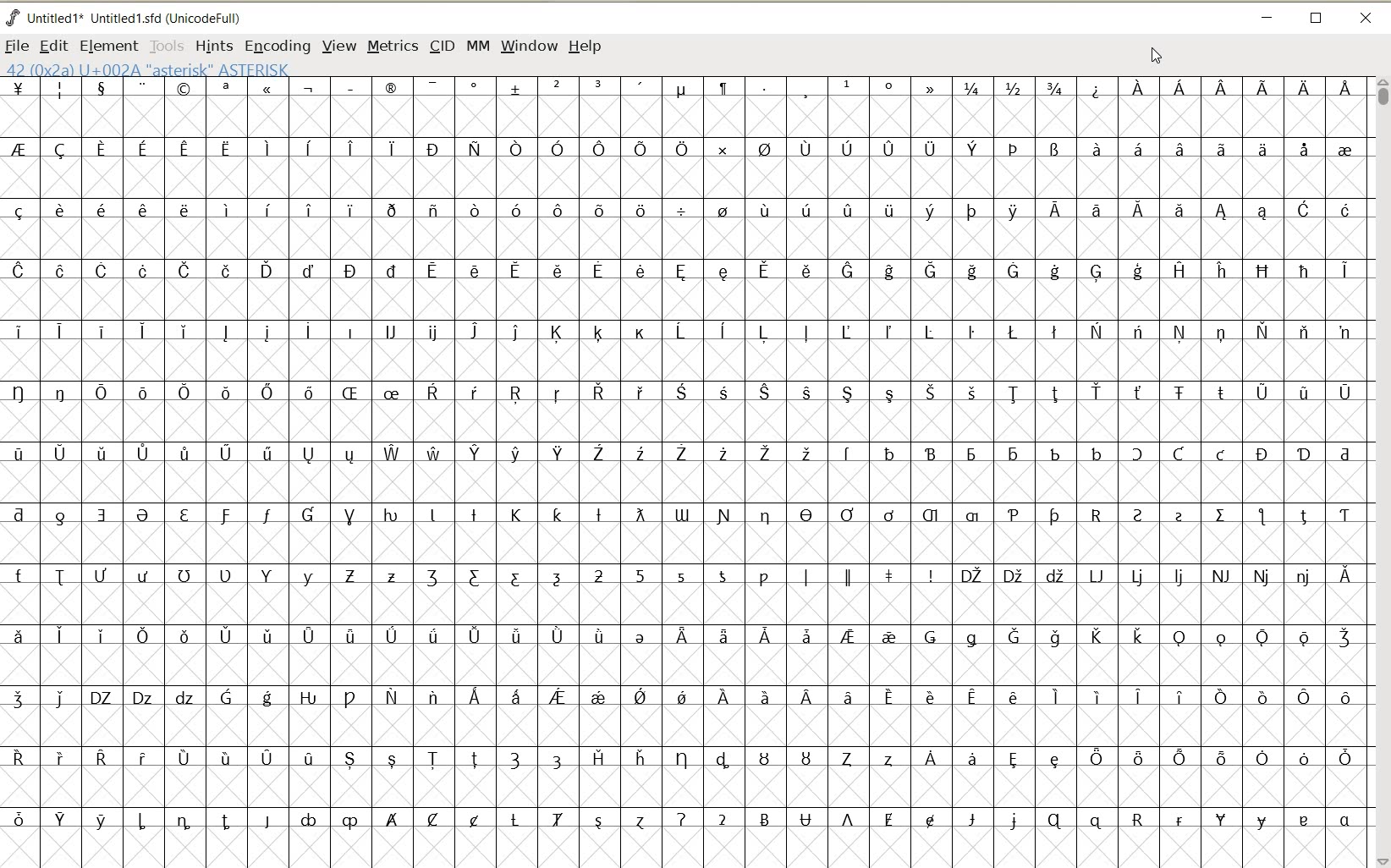 This screenshot has height=868, width=1391. What do you see at coordinates (166, 46) in the screenshot?
I see `TOOLS` at bounding box center [166, 46].